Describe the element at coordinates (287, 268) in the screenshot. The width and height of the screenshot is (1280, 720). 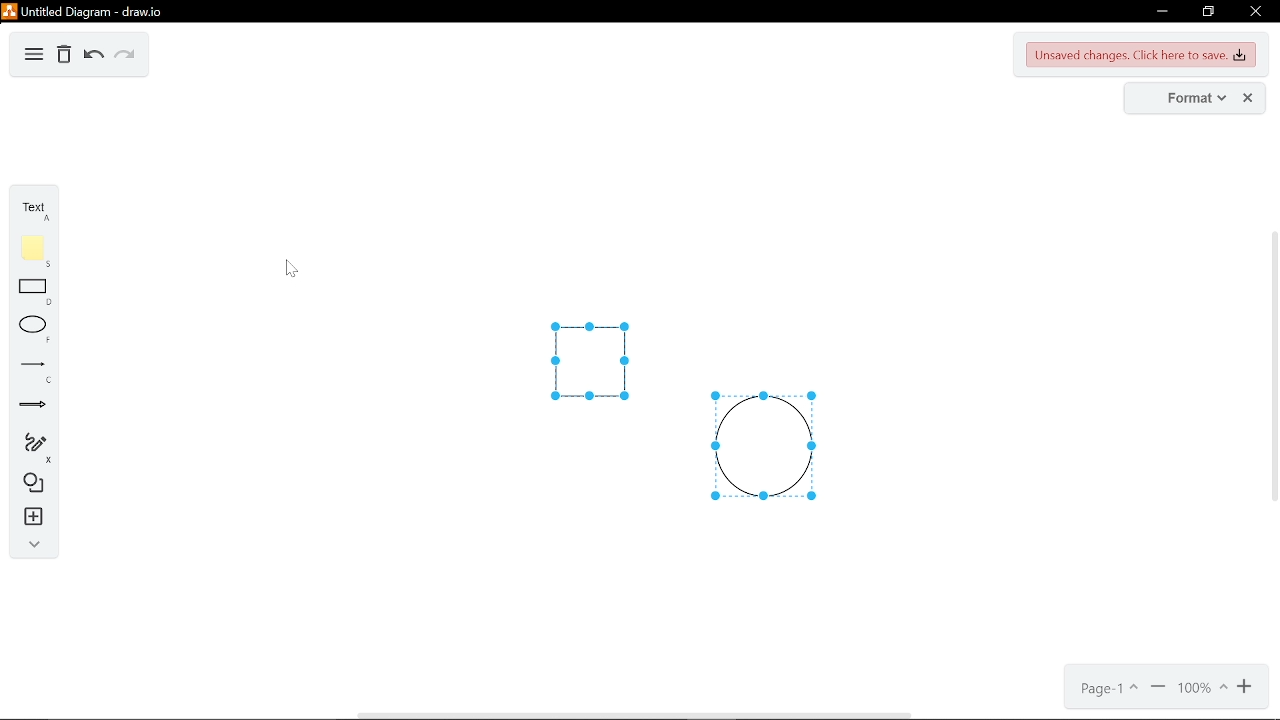
I see `Cursor` at that location.